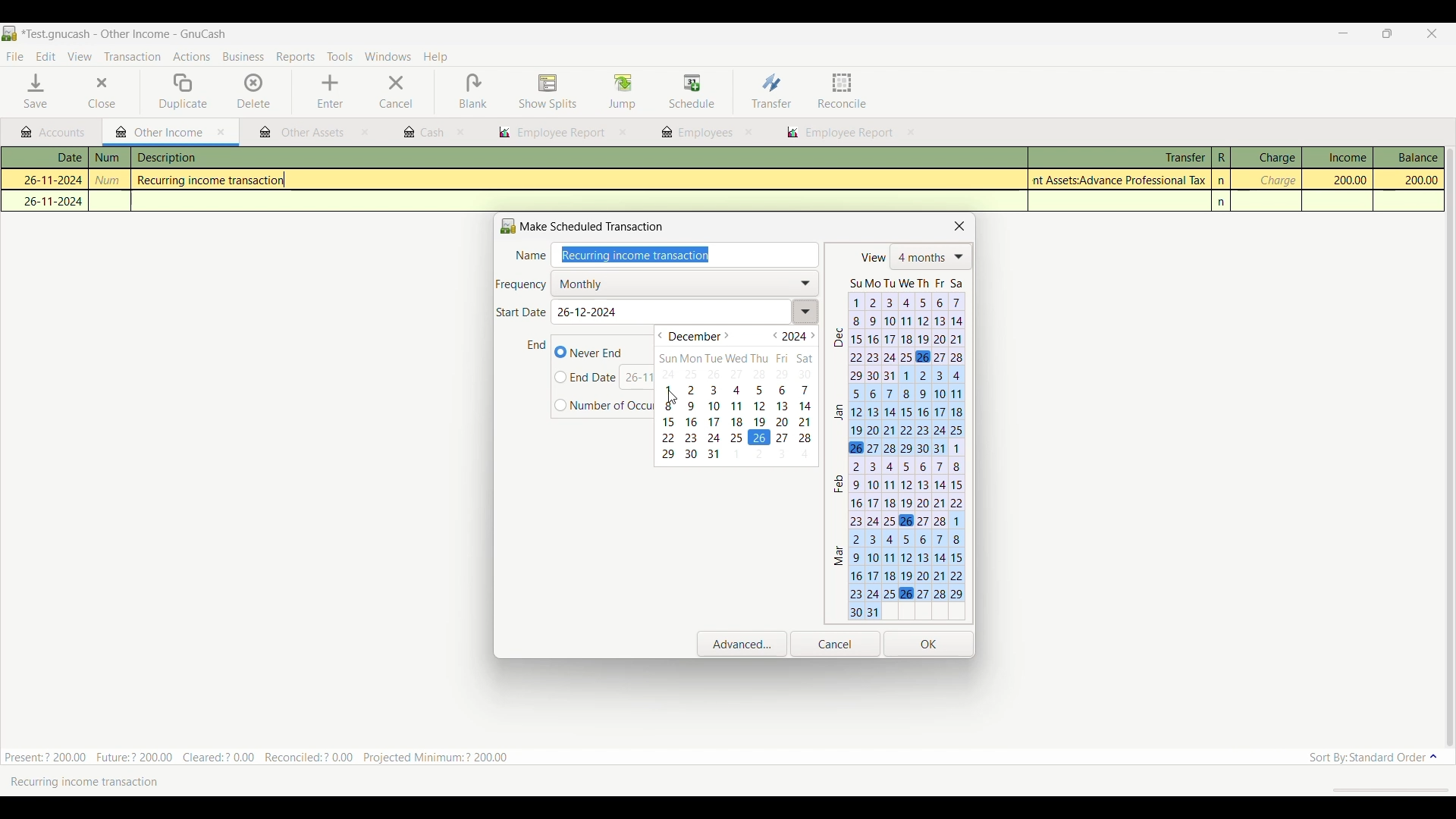 The width and height of the screenshot is (1456, 819). What do you see at coordinates (109, 158) in the screenshot?
I see `num` at bounding box center [109, 158].